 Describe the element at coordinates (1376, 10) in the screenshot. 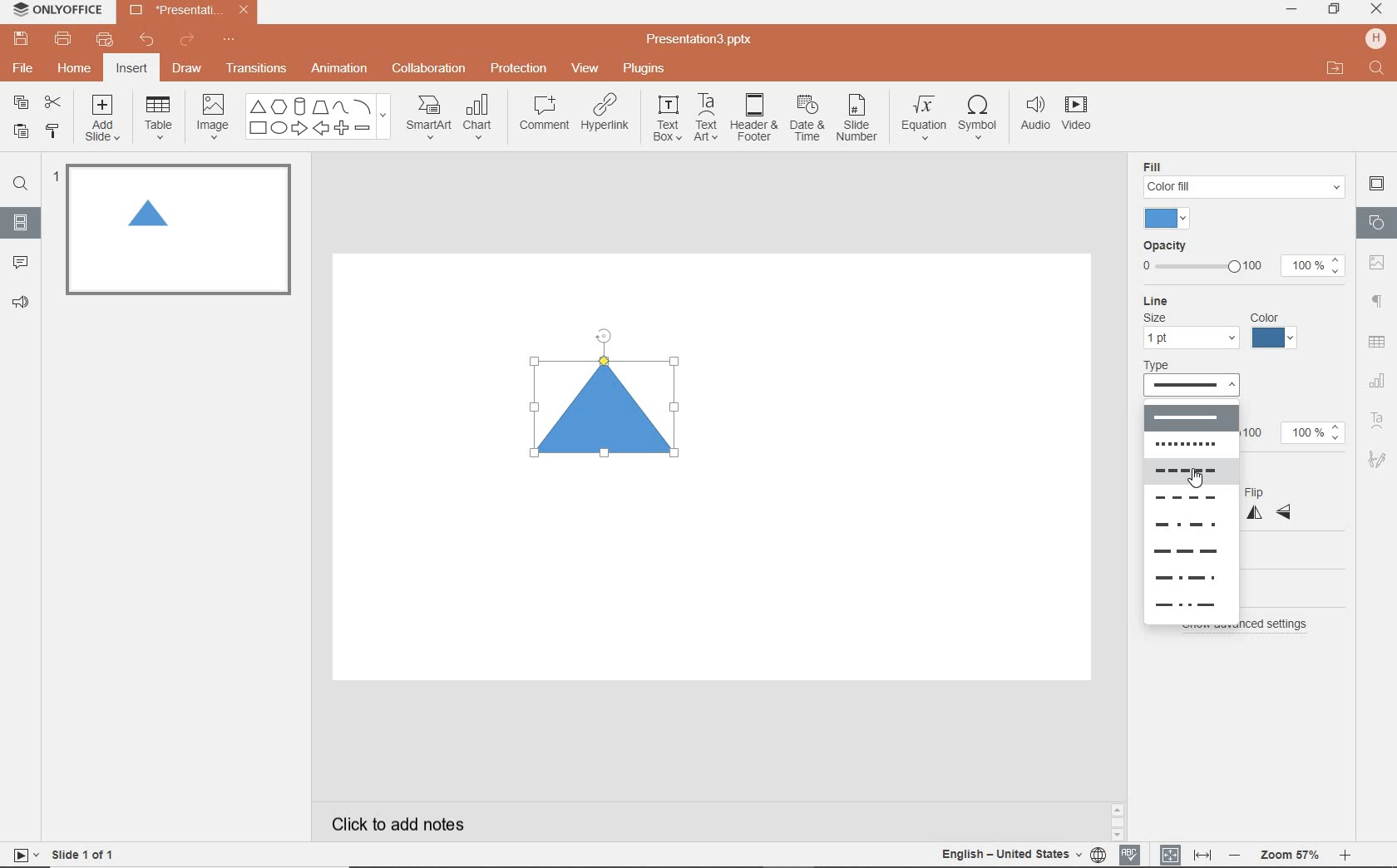

I see `CLOSE` at that location.